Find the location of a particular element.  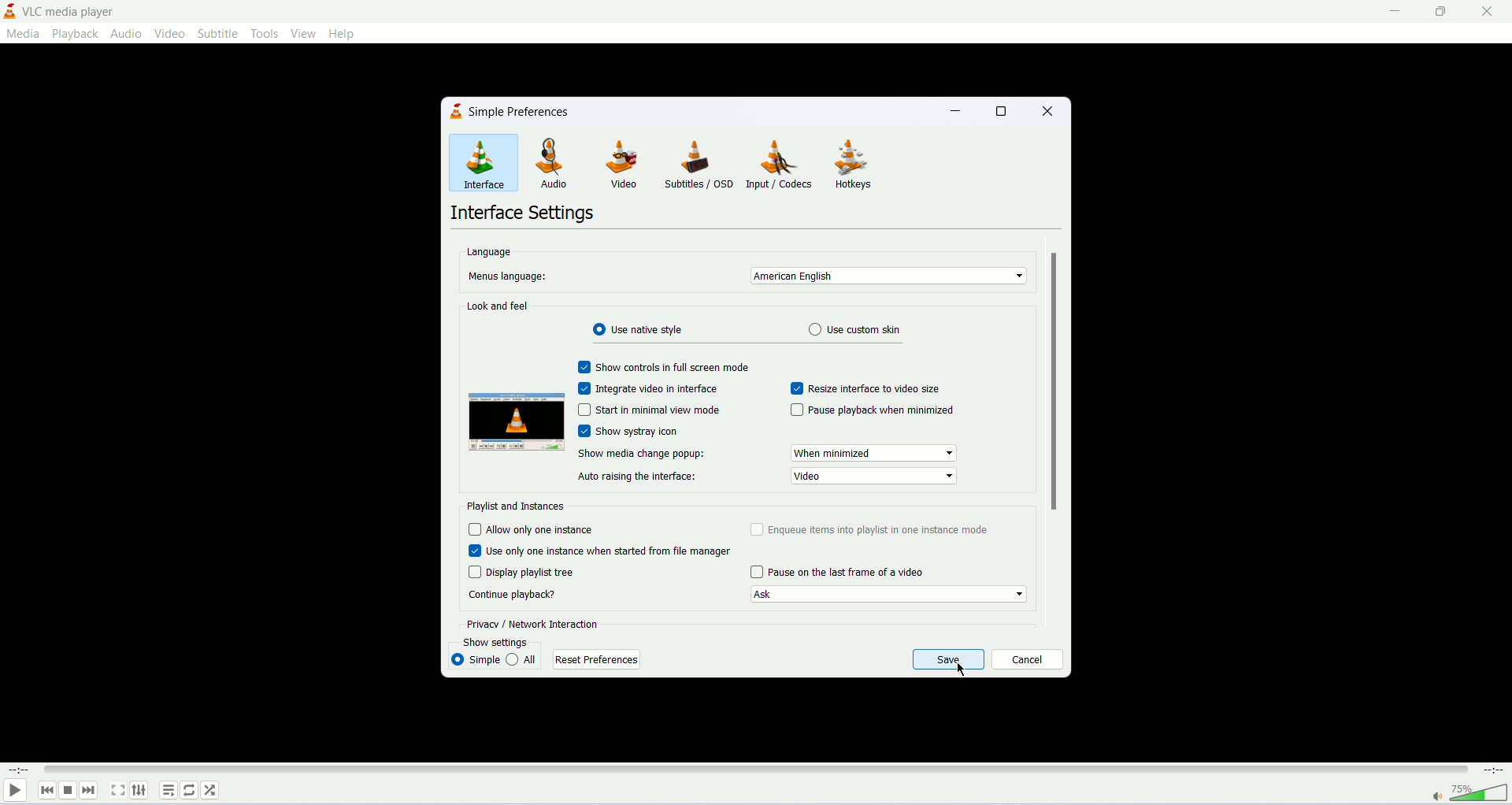

fullscreen is located at coordinates (117, 790).